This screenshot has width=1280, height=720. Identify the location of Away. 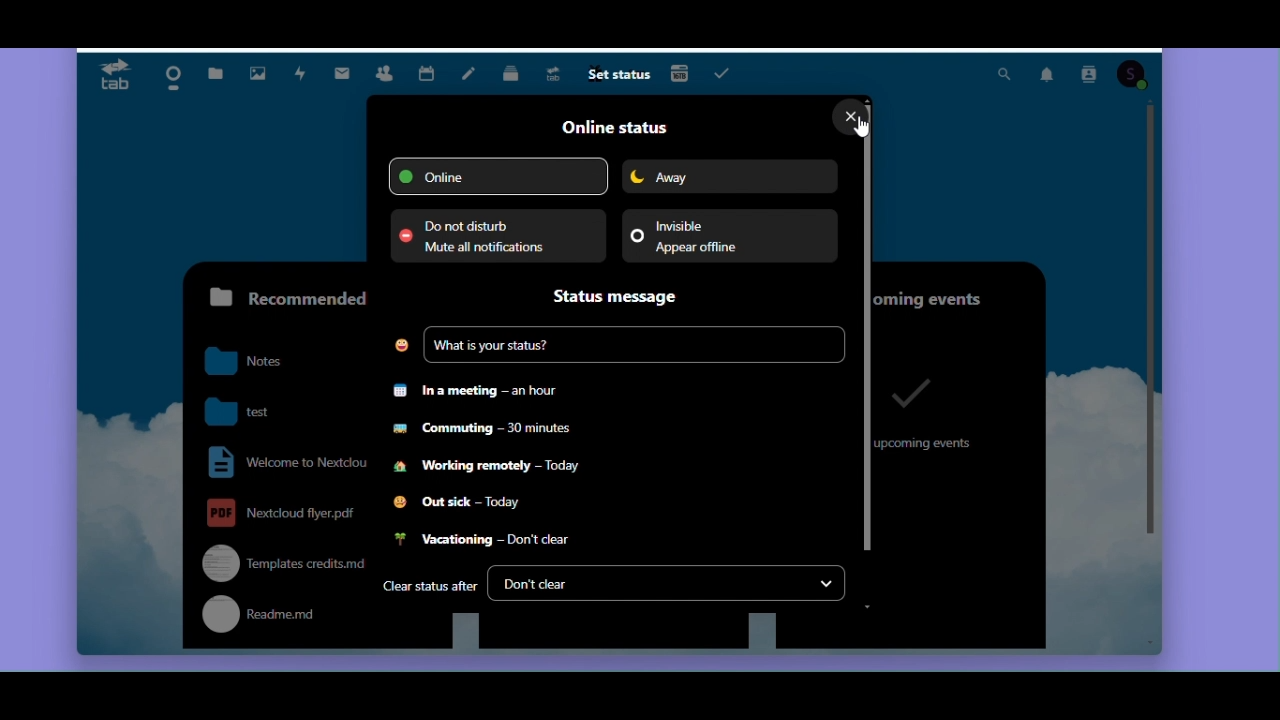
(729, 176).